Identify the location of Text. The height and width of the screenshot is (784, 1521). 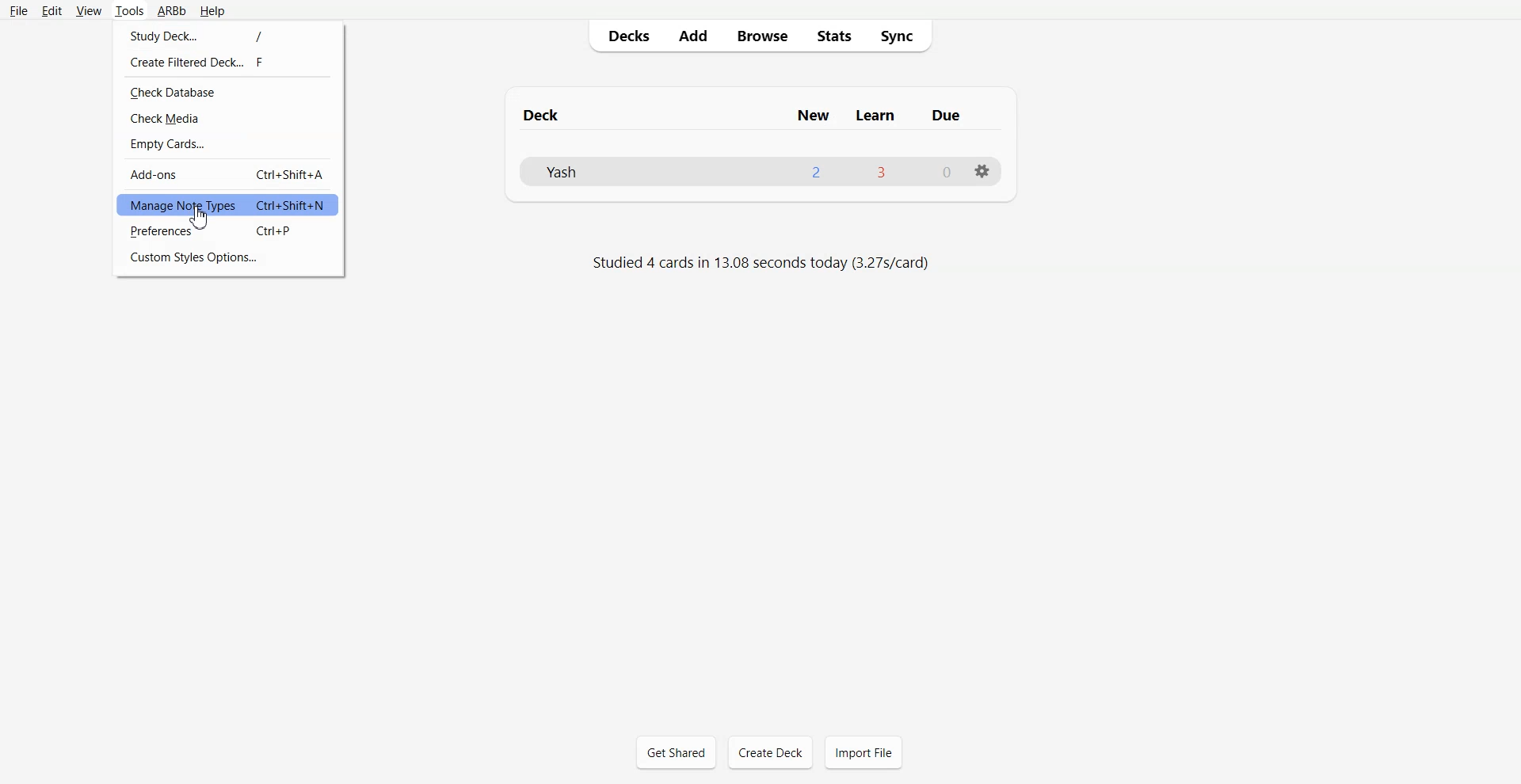
(760, 108).